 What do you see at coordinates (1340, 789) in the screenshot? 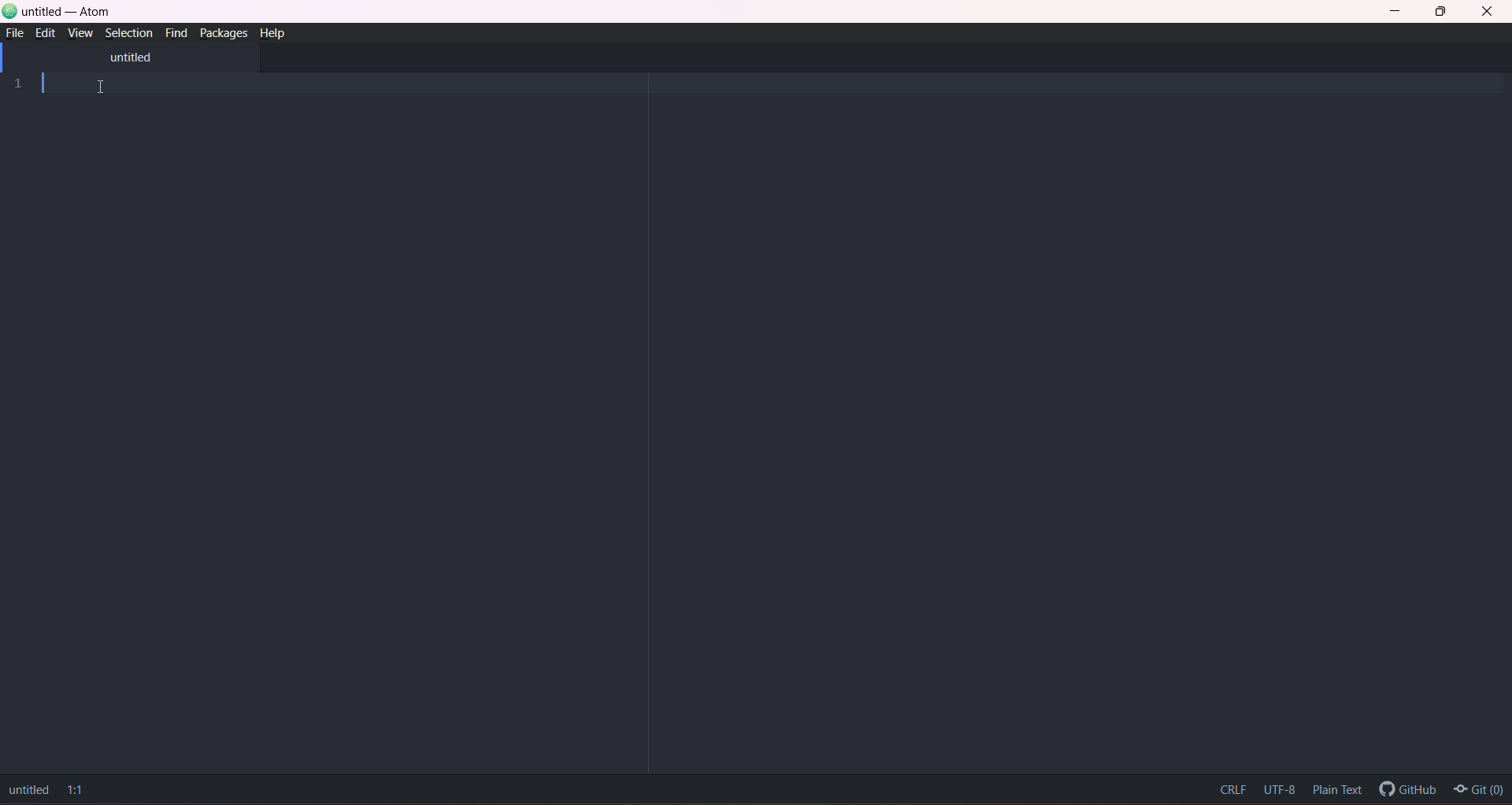
I see `Plain Text` at bounding box center [1340, 789].